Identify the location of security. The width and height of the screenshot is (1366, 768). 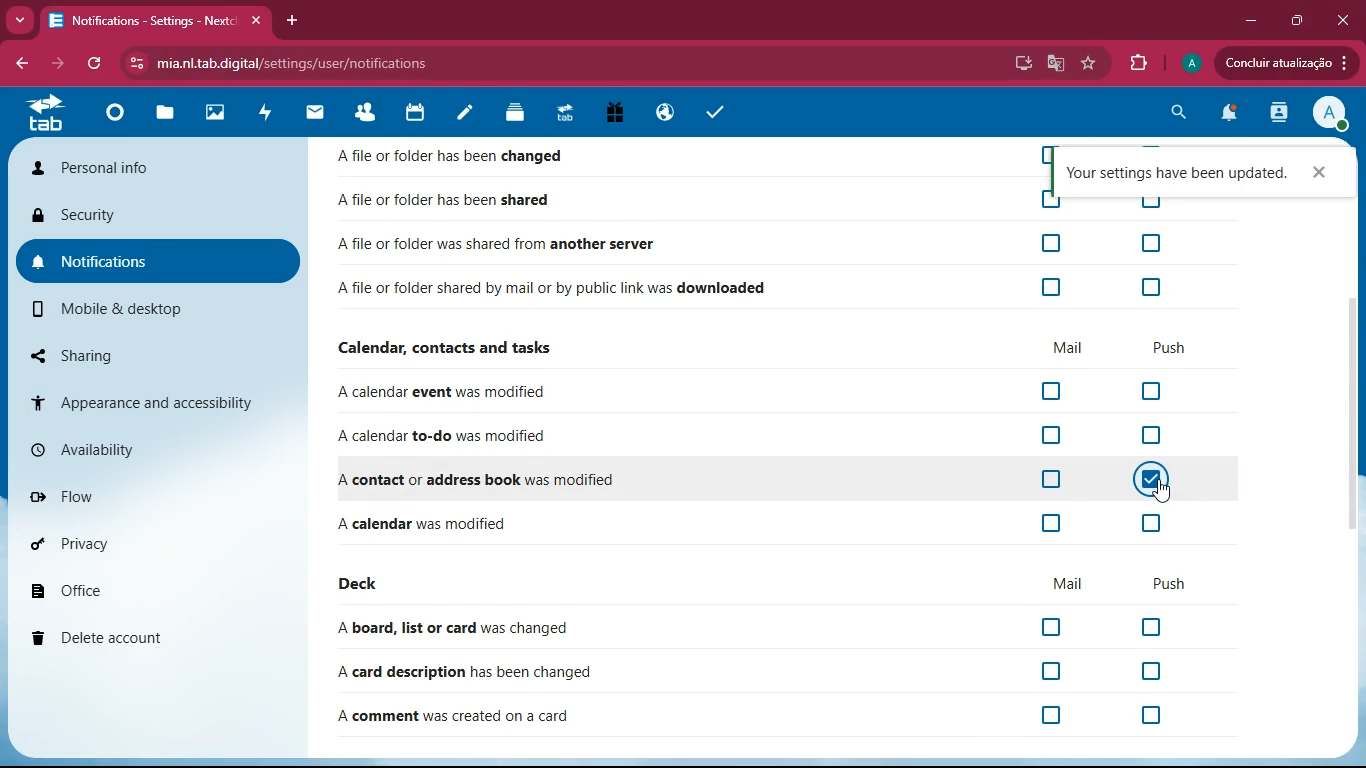
(148, 215).